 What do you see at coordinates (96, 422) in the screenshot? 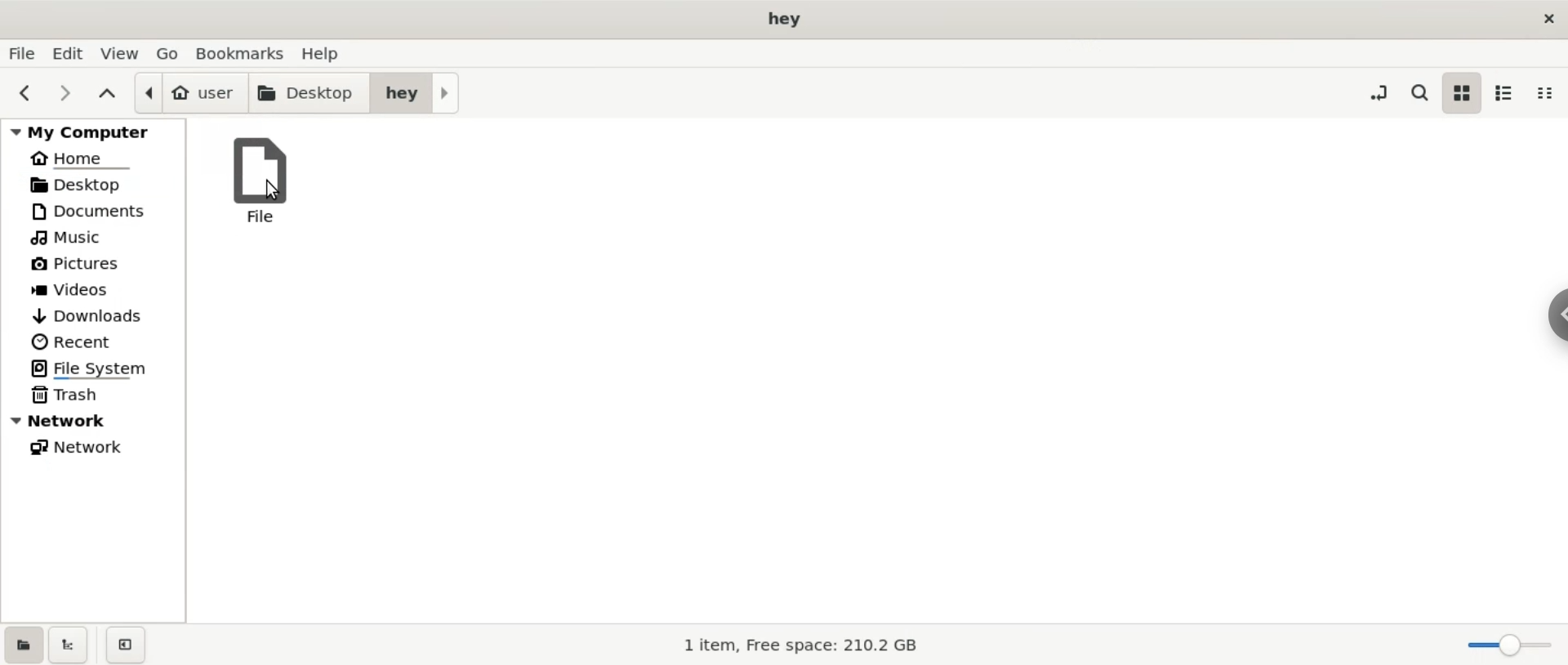
I see `network` at bounding box center [96, 422].